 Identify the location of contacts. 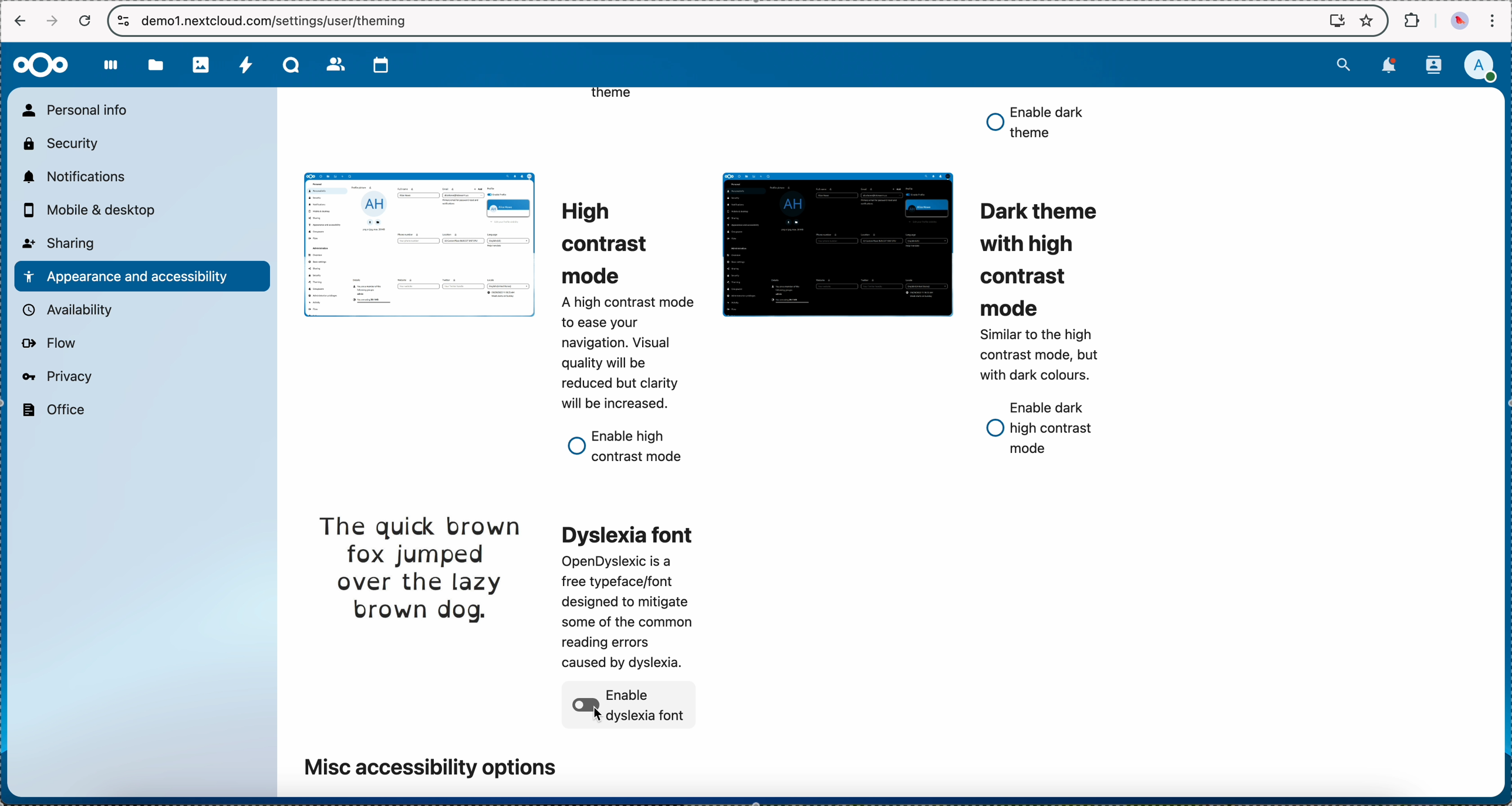
(333, 65).